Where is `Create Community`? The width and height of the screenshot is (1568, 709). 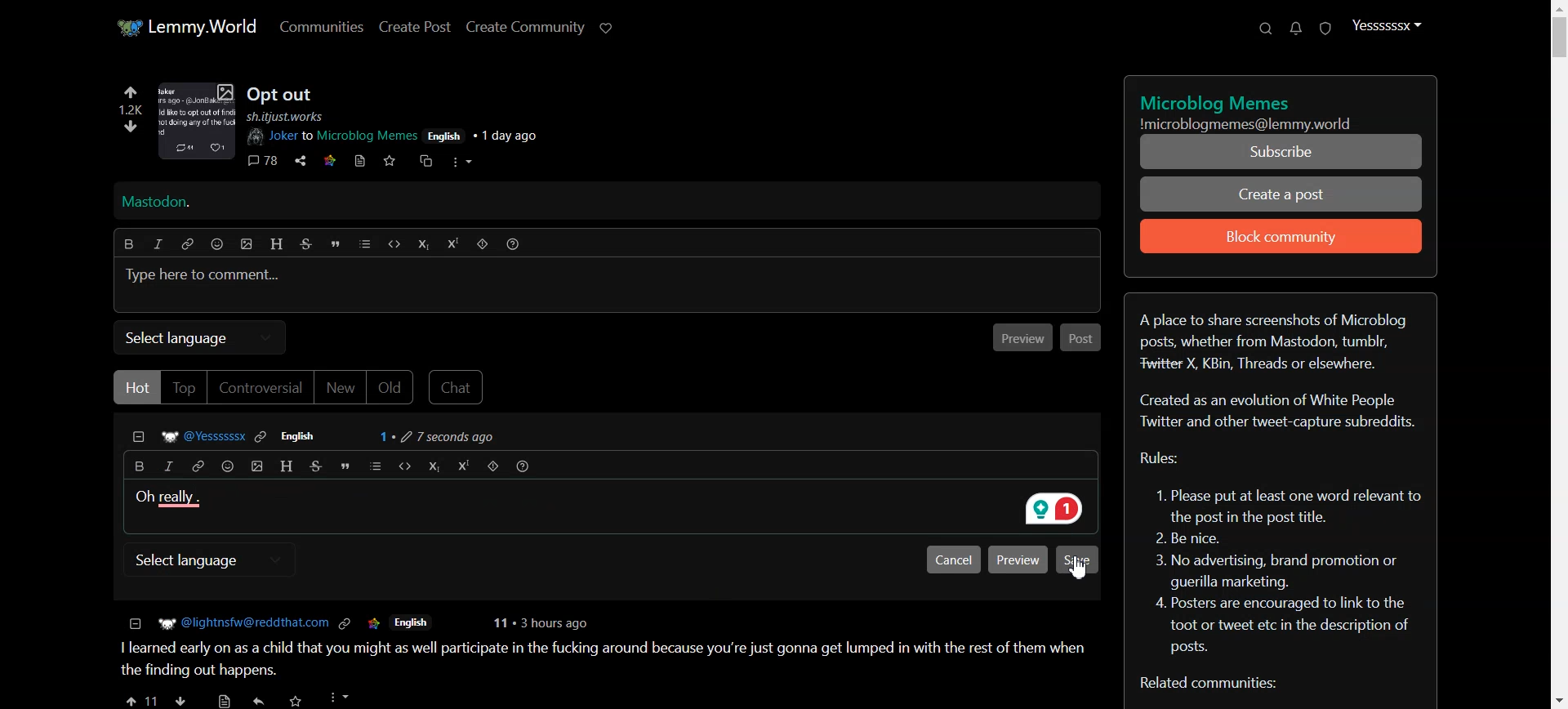
Create Community is located at coordinates (526, 27).